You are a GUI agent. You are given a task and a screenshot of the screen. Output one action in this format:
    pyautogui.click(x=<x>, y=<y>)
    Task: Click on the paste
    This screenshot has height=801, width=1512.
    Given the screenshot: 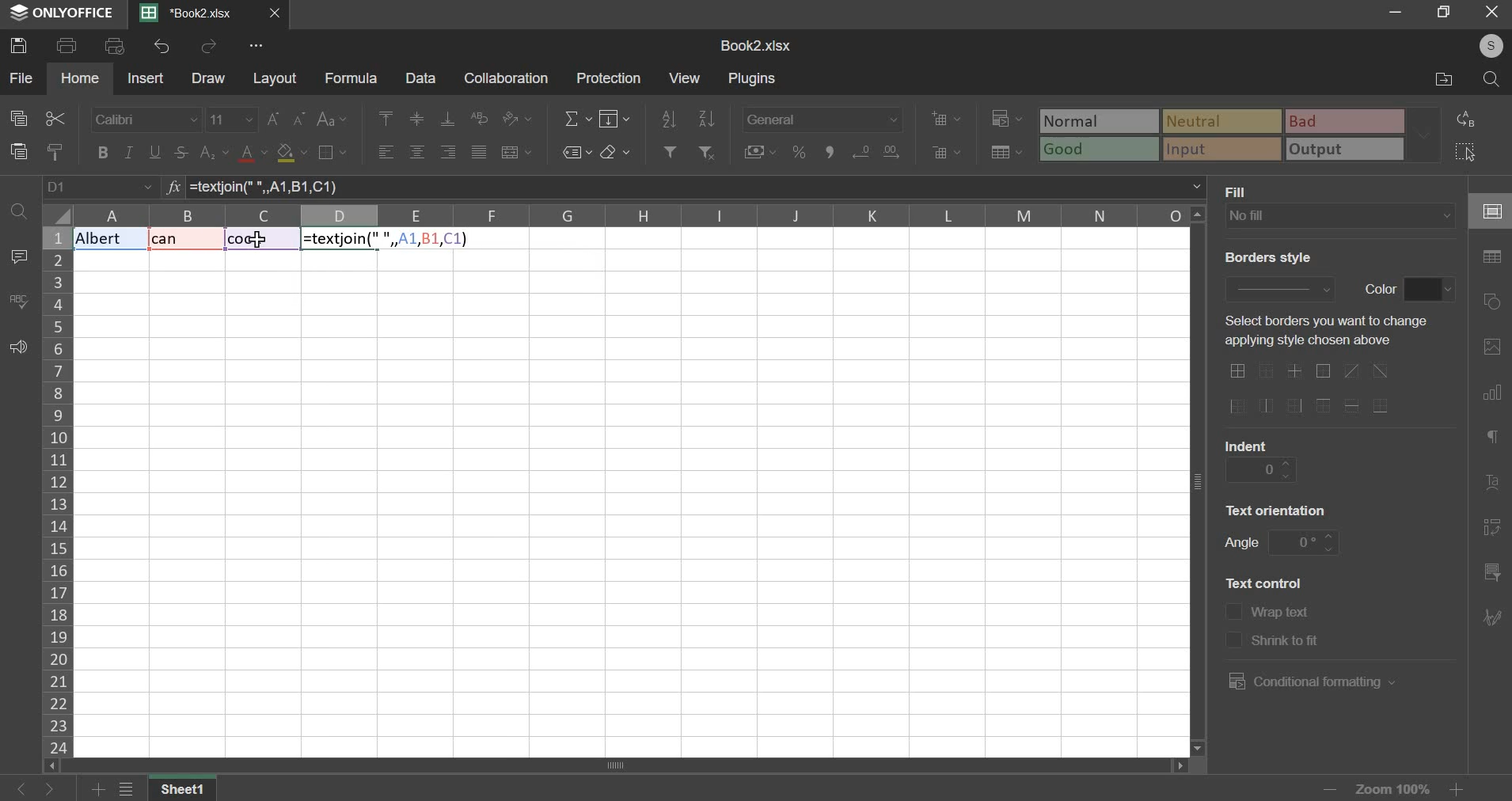 What is the action you would take?
    pyautogui.click(x=19, y=151)
    